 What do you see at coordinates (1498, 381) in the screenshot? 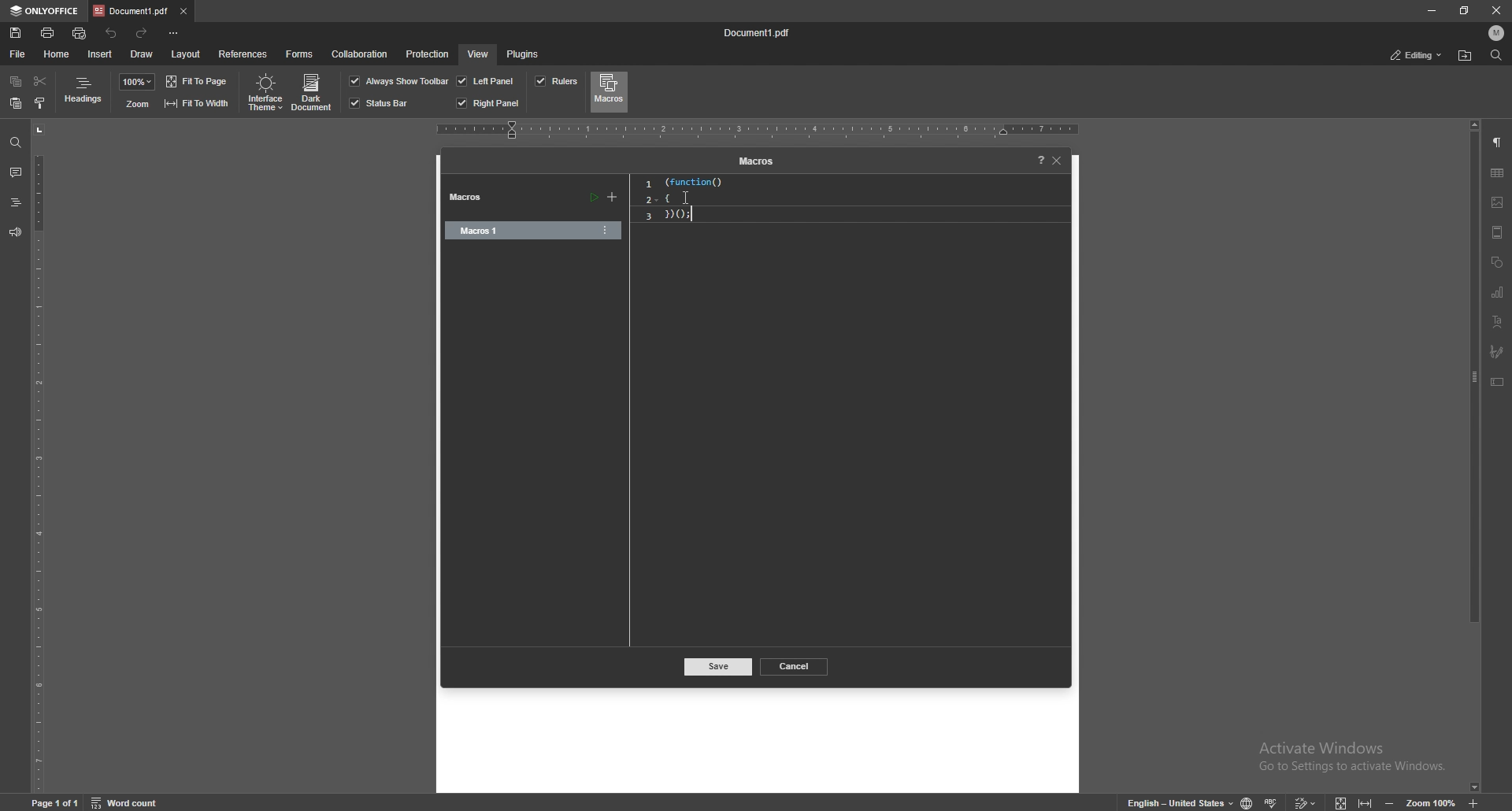
I see `text box` at bounding box center [1498, 381].